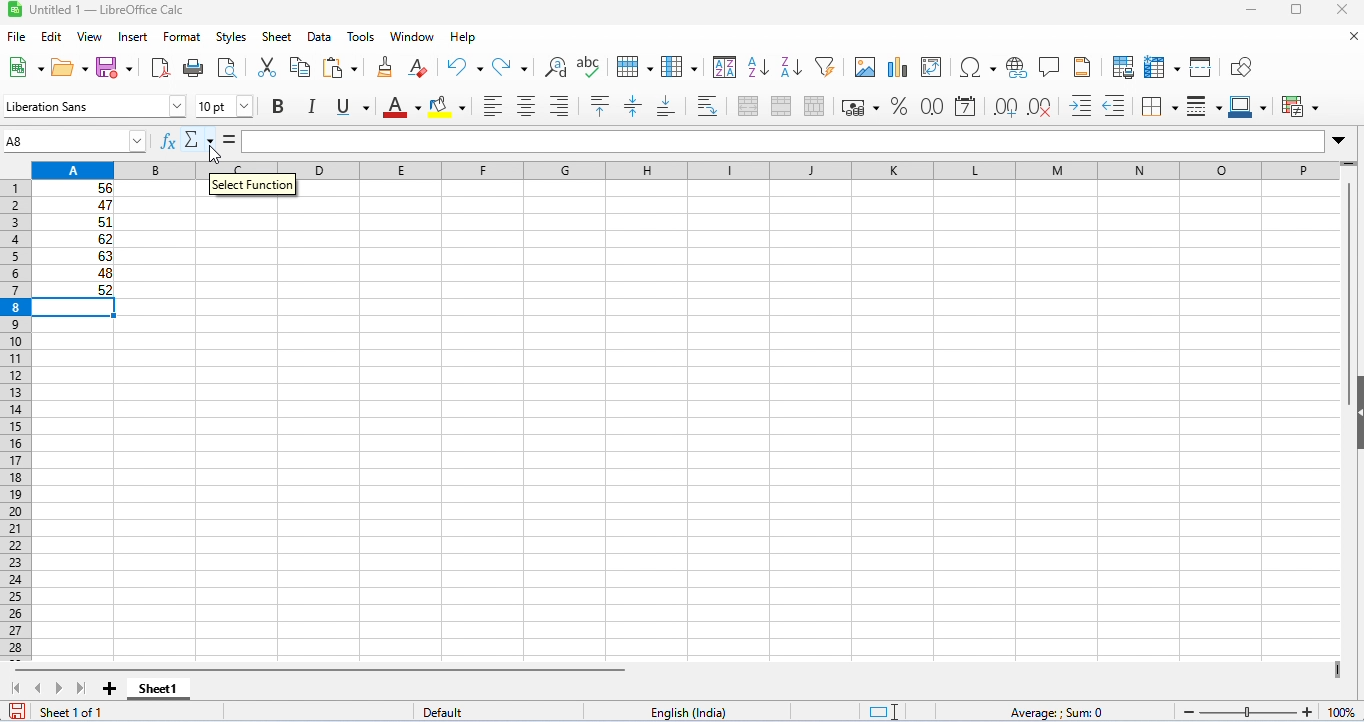  I want to click on save, so click(116, 66).